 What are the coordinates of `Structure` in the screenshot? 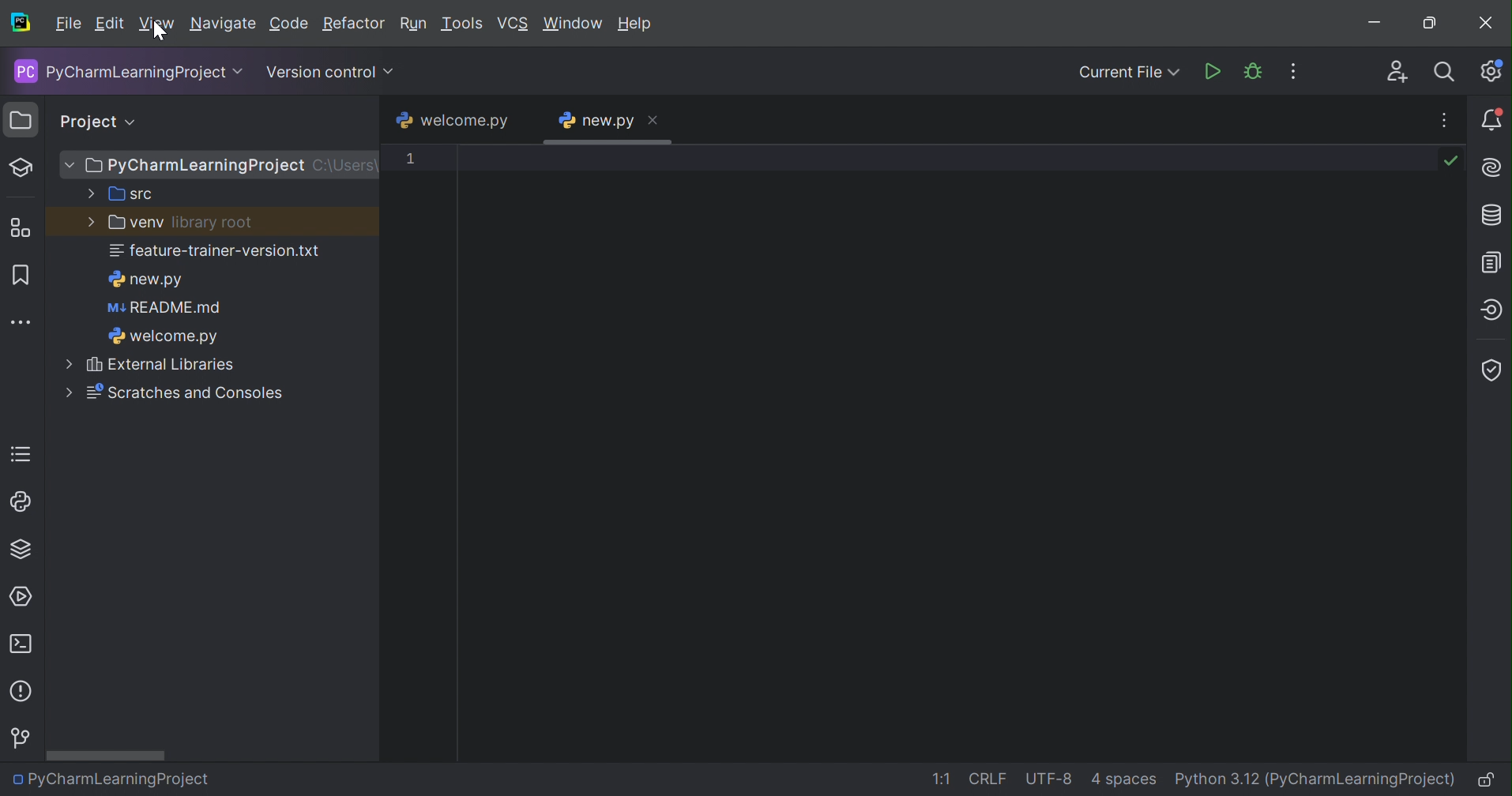 It's located at (20, 227).